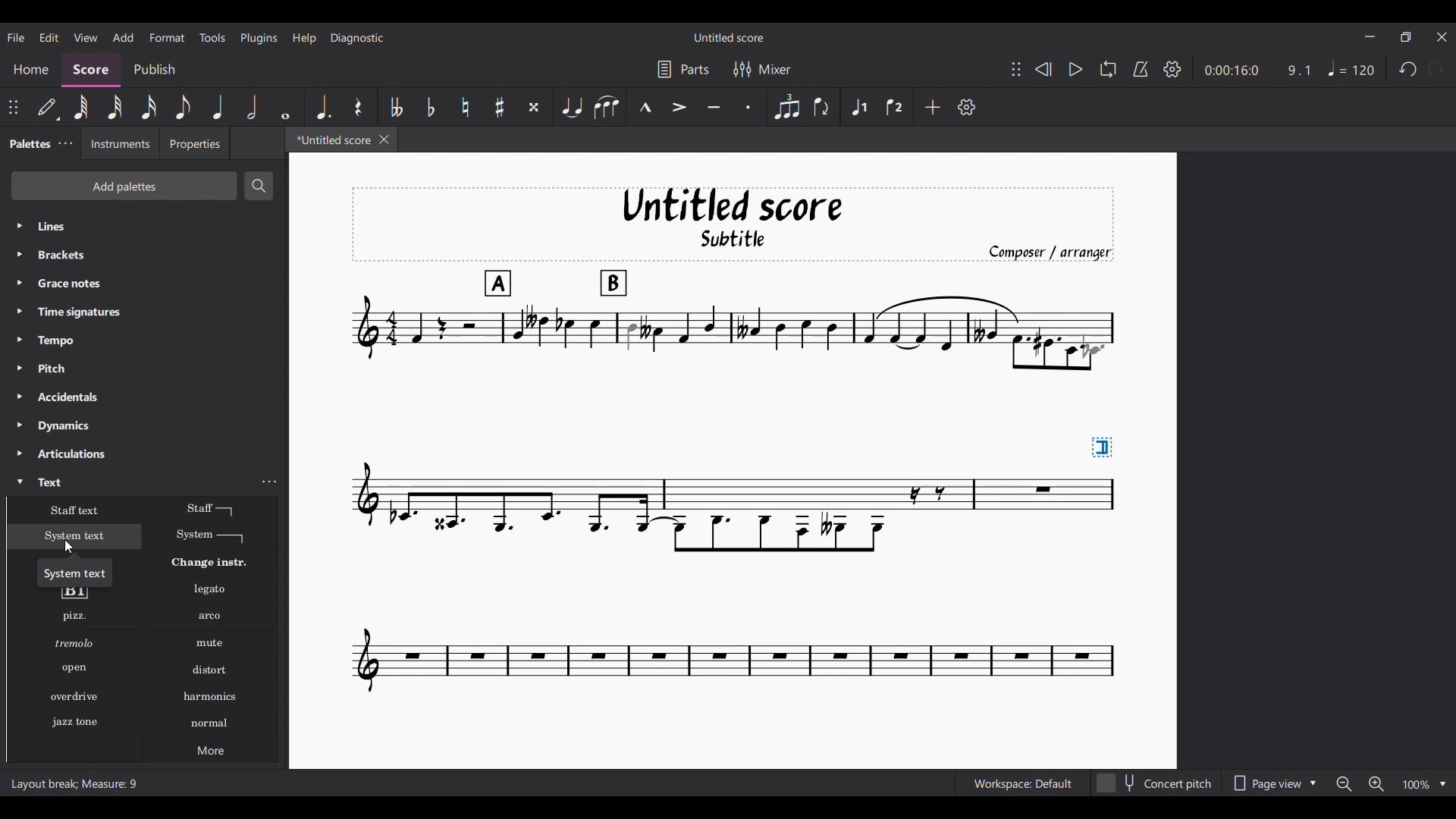  What do you see at coordinates (27, 145) in the screenshot?
I see `Palettes` at bounding box center [27, 145].